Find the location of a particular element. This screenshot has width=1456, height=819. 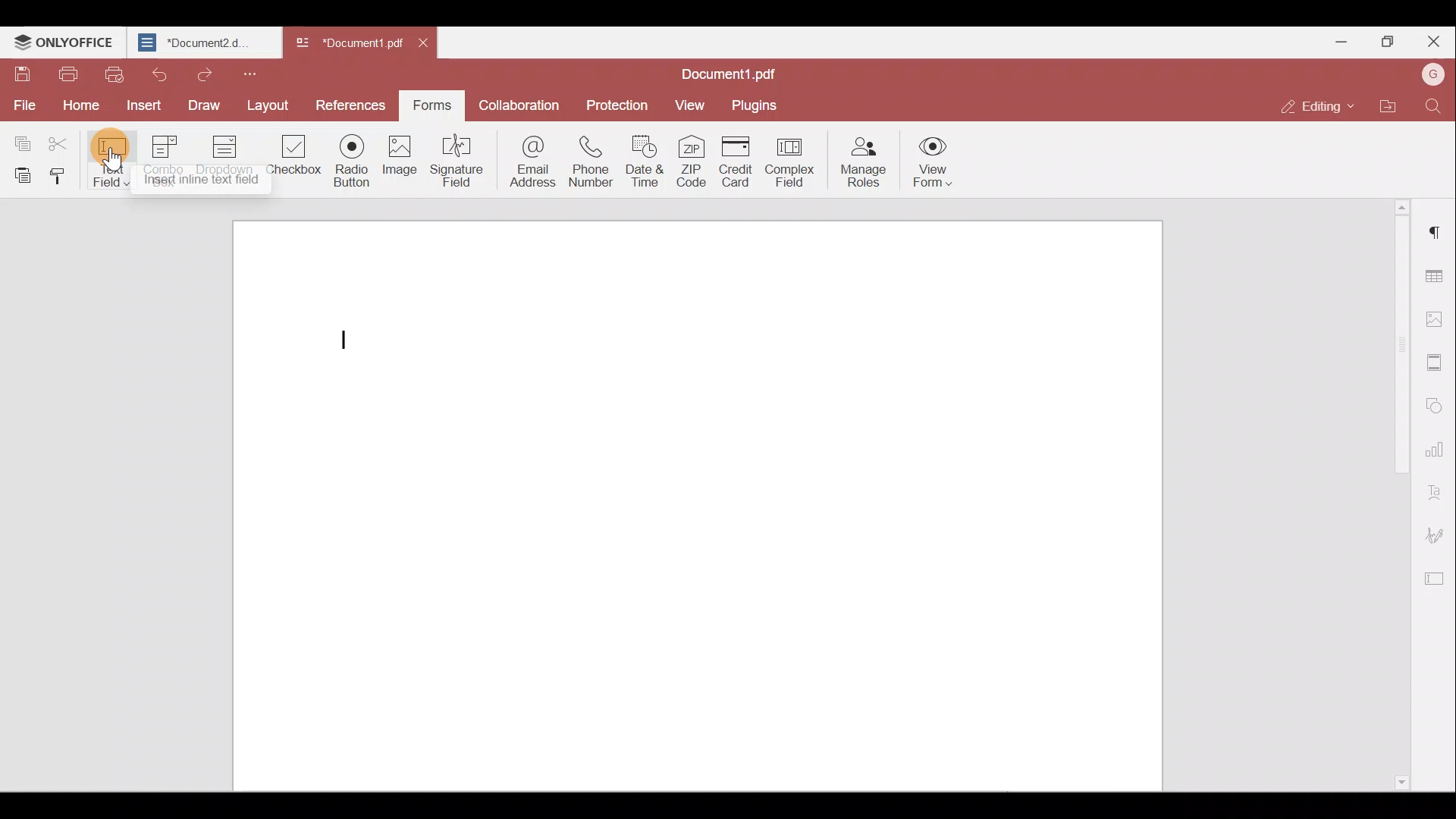

Signature field is located at coordinates (460, 162).